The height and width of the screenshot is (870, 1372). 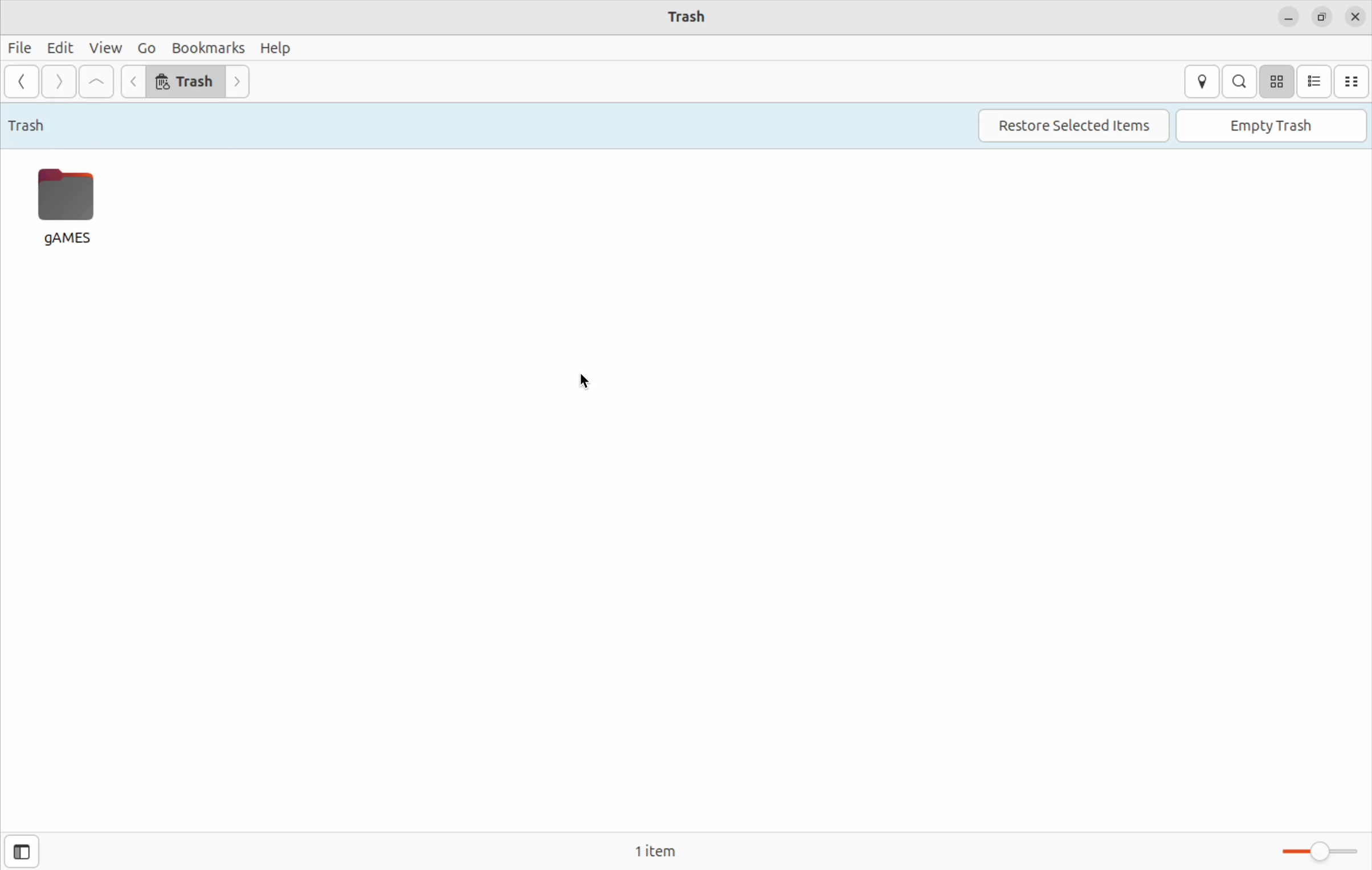 What do you see at coordinates (19, 852) in the screenshot?
I see `show sidebar` at bounding box center [19, 852].